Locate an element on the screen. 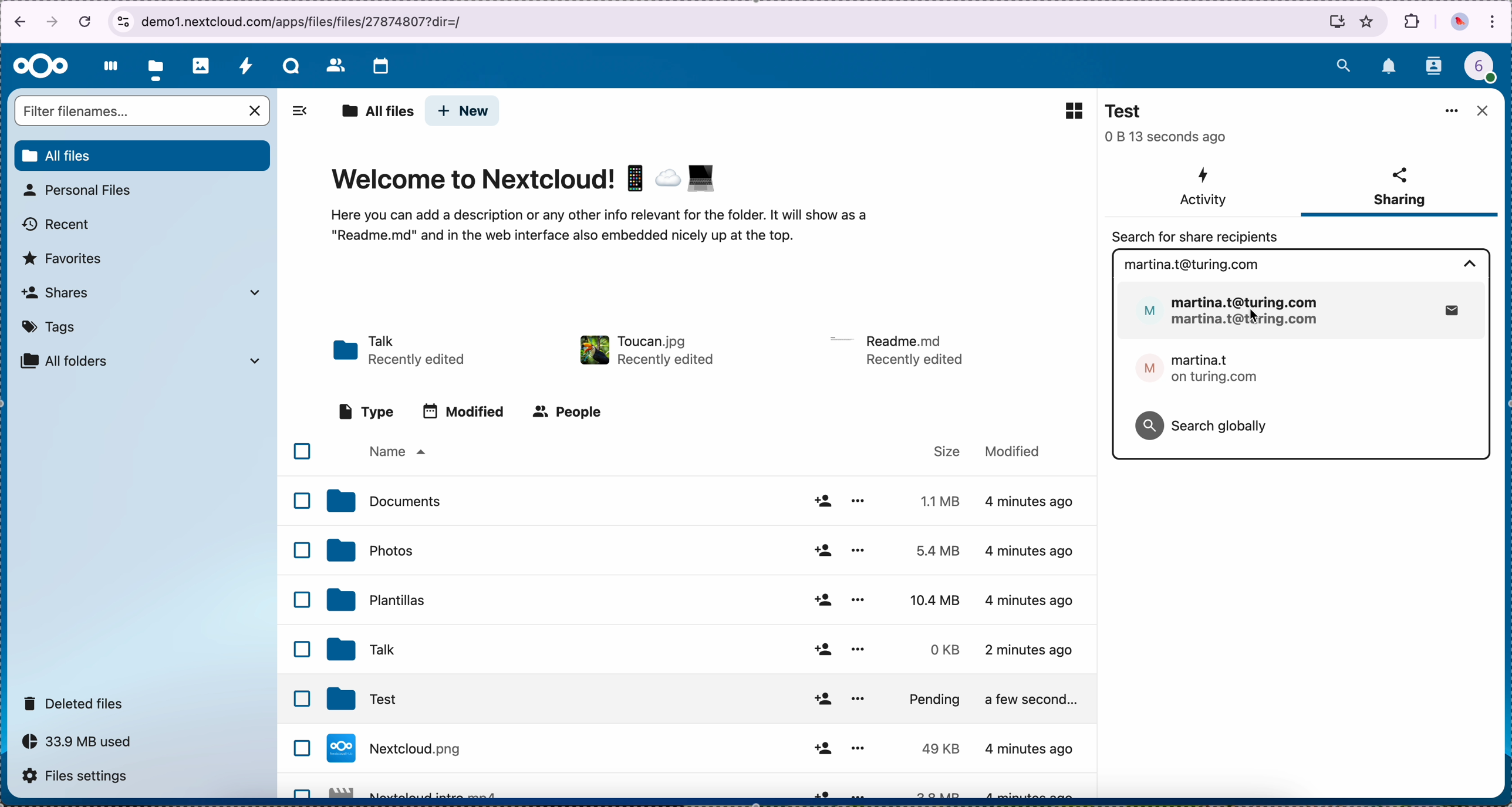  modified is located at coordinates (468, 413).